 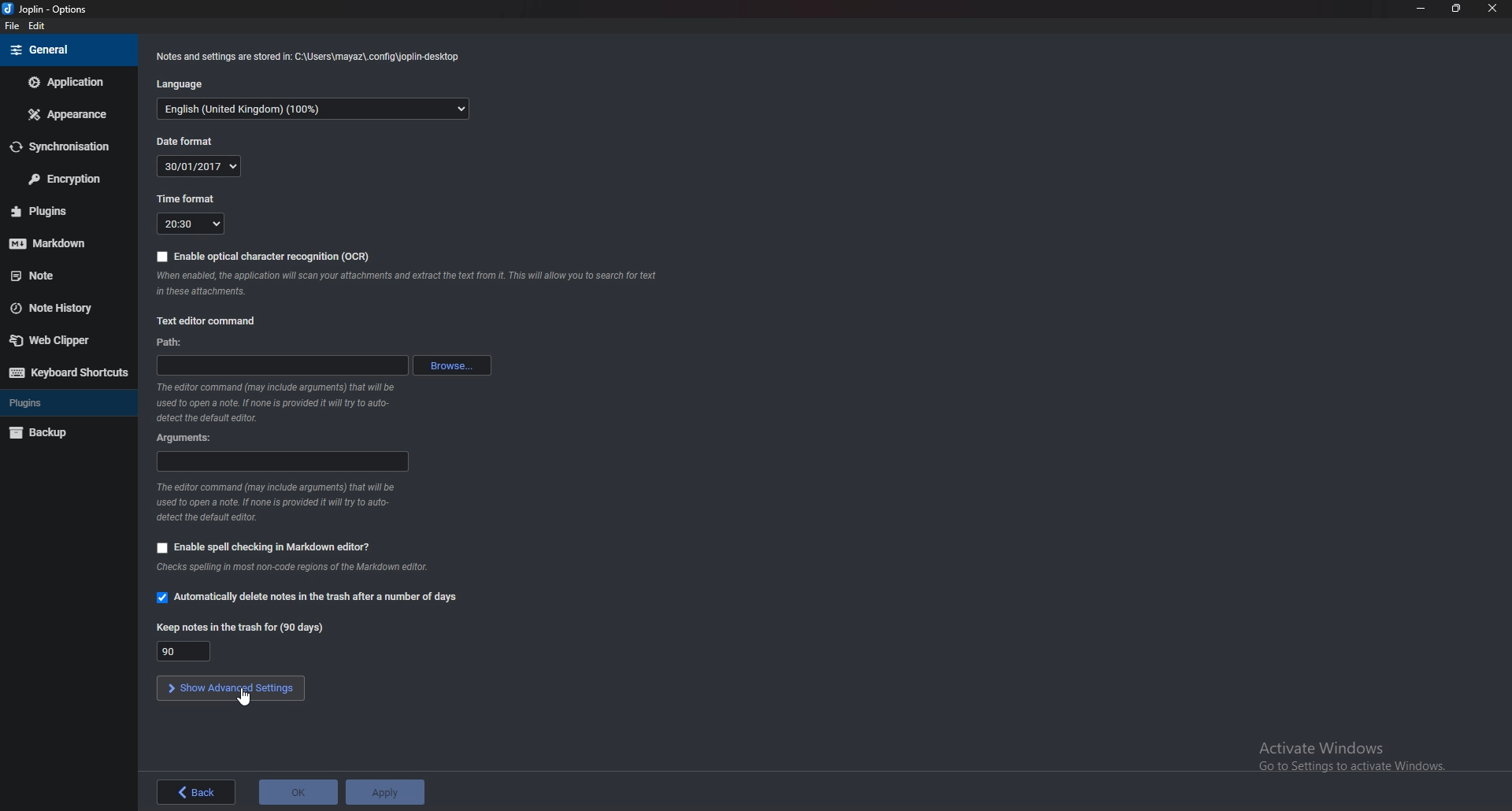 What do you see at coordinates (243, 626) in the screenshot?
I see `Keep notes in the trash for 90 days` at bounding box center [243, 626].